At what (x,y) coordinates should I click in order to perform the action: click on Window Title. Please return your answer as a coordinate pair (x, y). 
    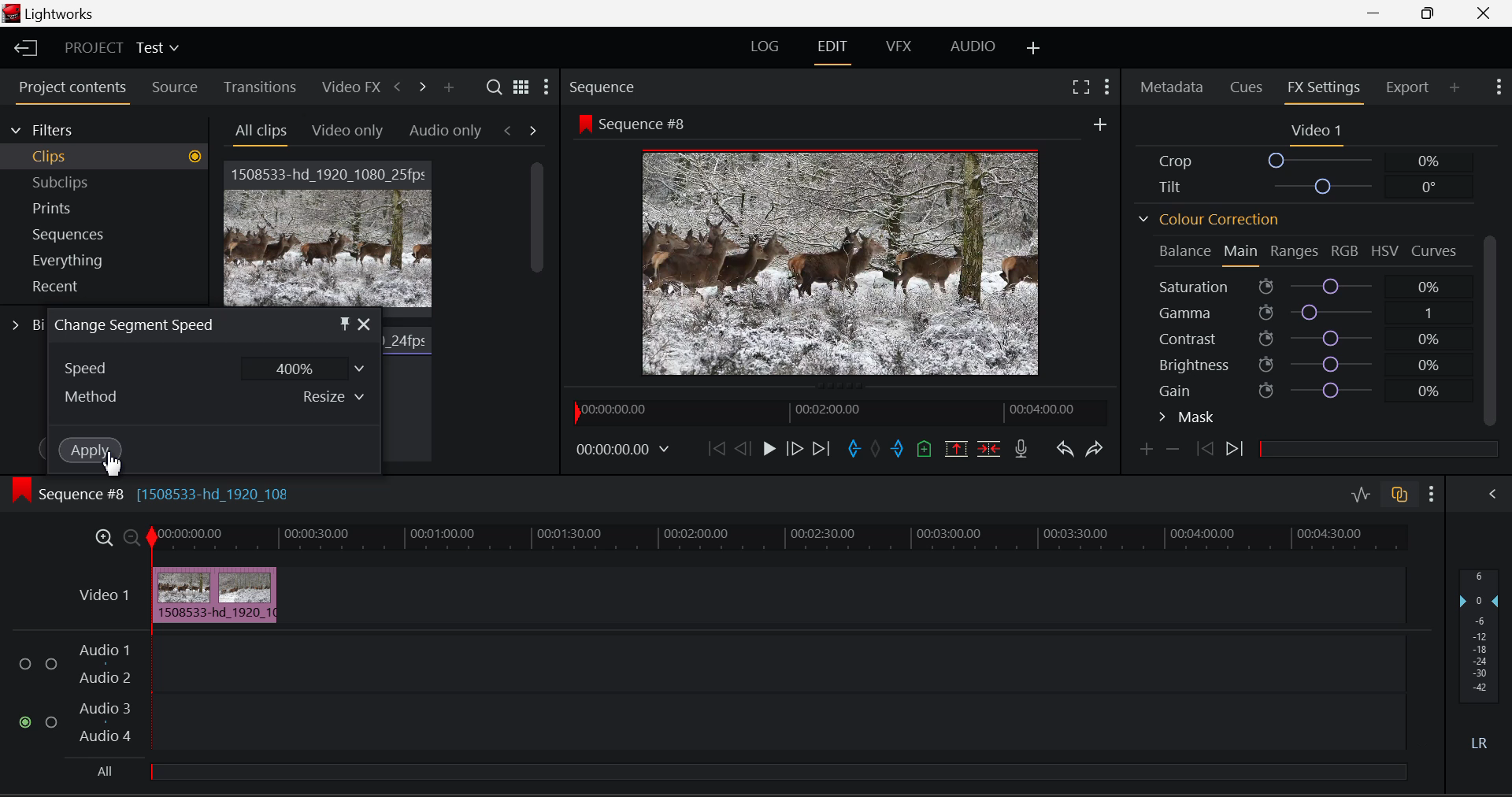
    Looking at the image, I should click on (140, 327).